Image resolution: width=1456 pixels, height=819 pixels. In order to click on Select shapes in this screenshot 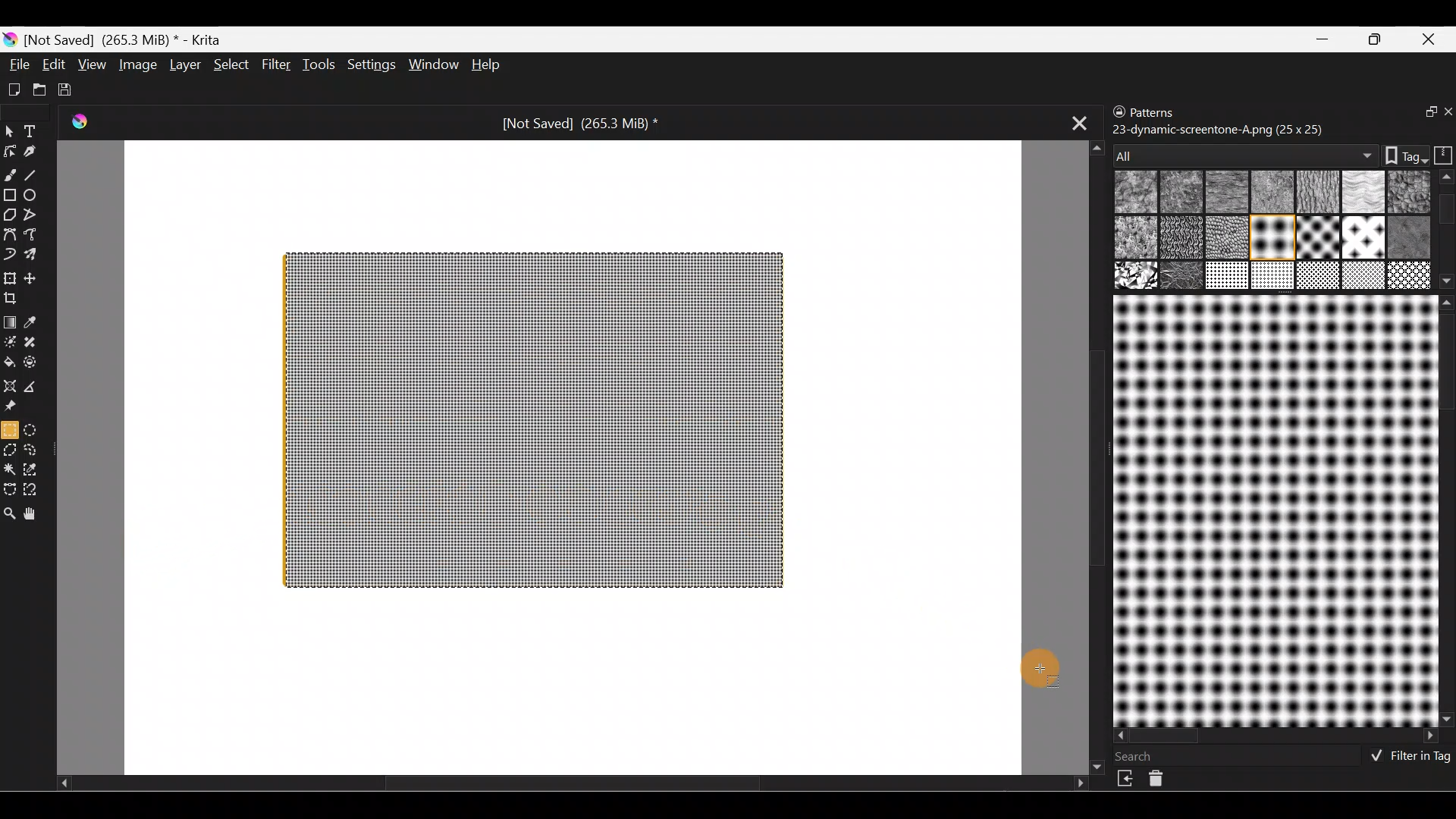, I will do `click(9, 132)`.